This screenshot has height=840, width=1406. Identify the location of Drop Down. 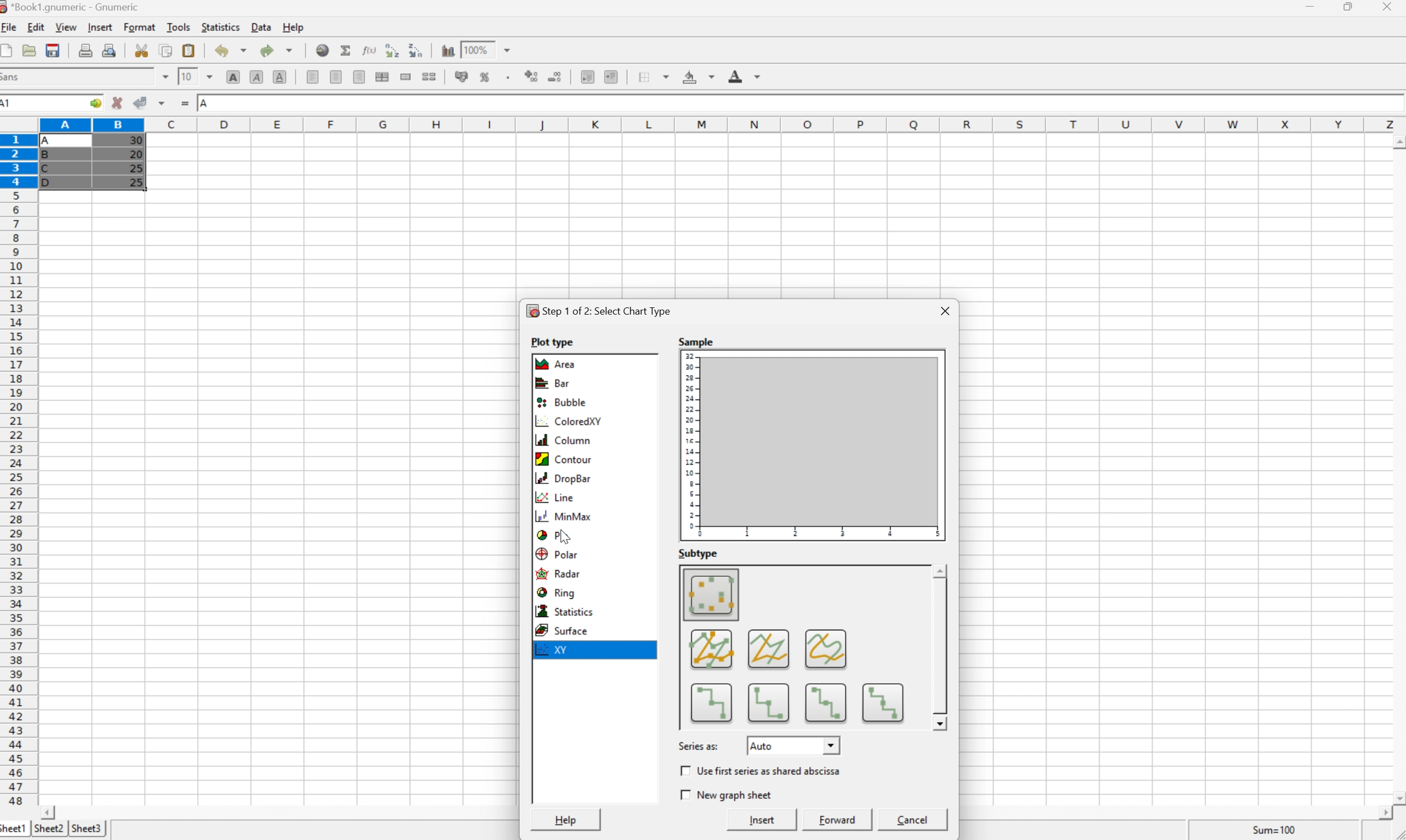
(164, 76).